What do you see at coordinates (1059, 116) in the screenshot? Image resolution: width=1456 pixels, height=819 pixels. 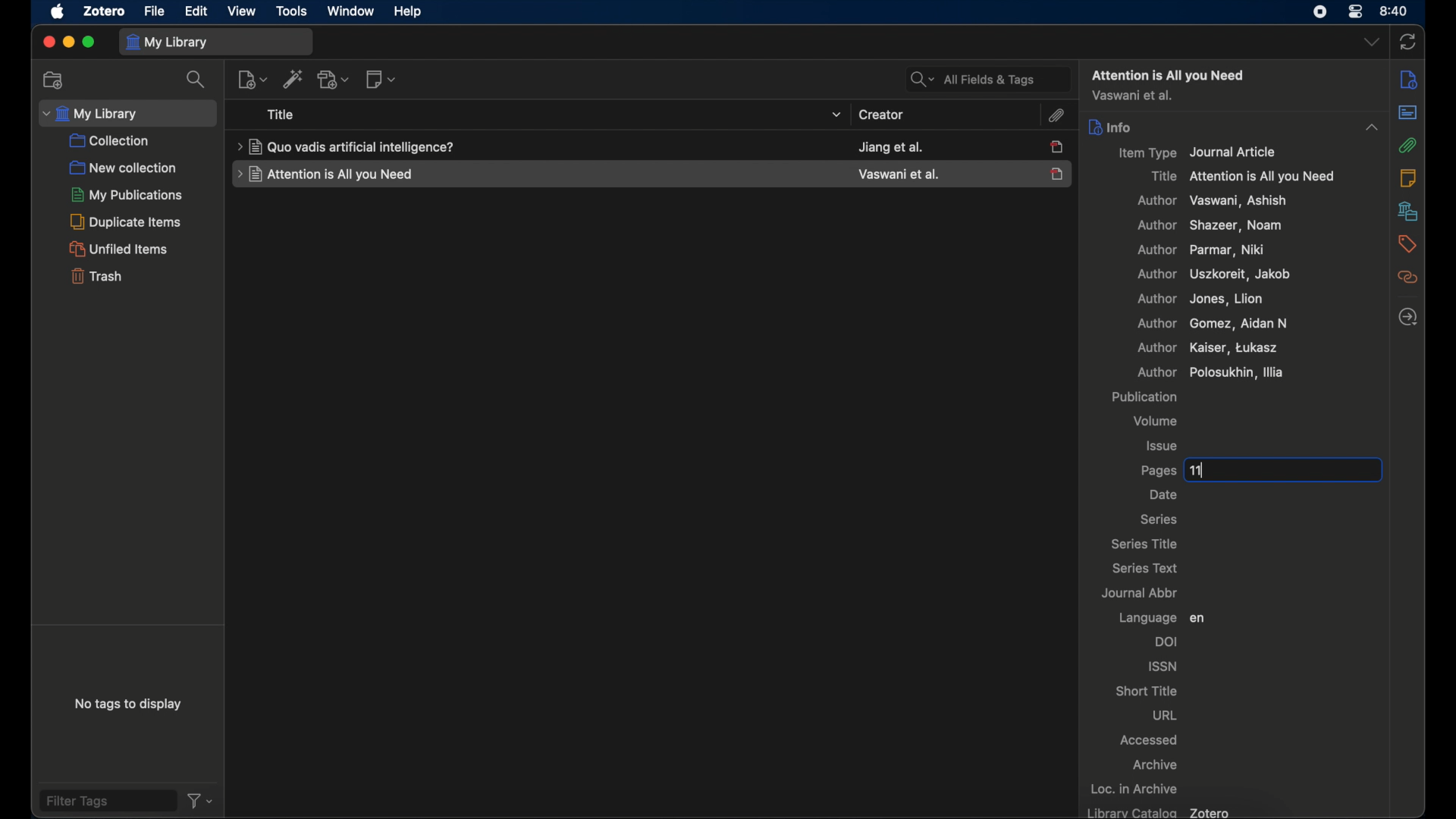 I see `attachment` at bounding box center [1059, 116].